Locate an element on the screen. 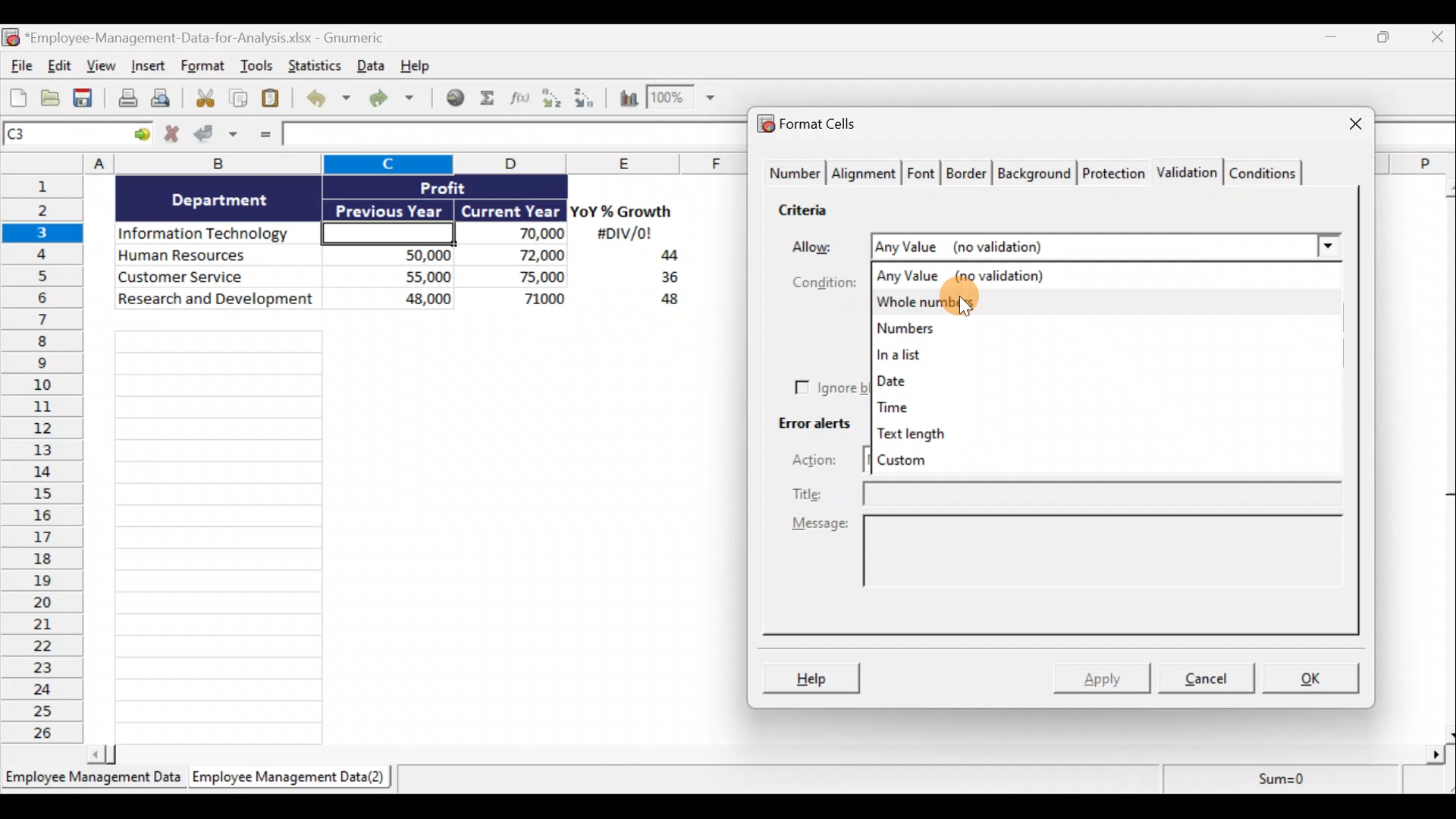  Date is located at coordinates (1108, 381).